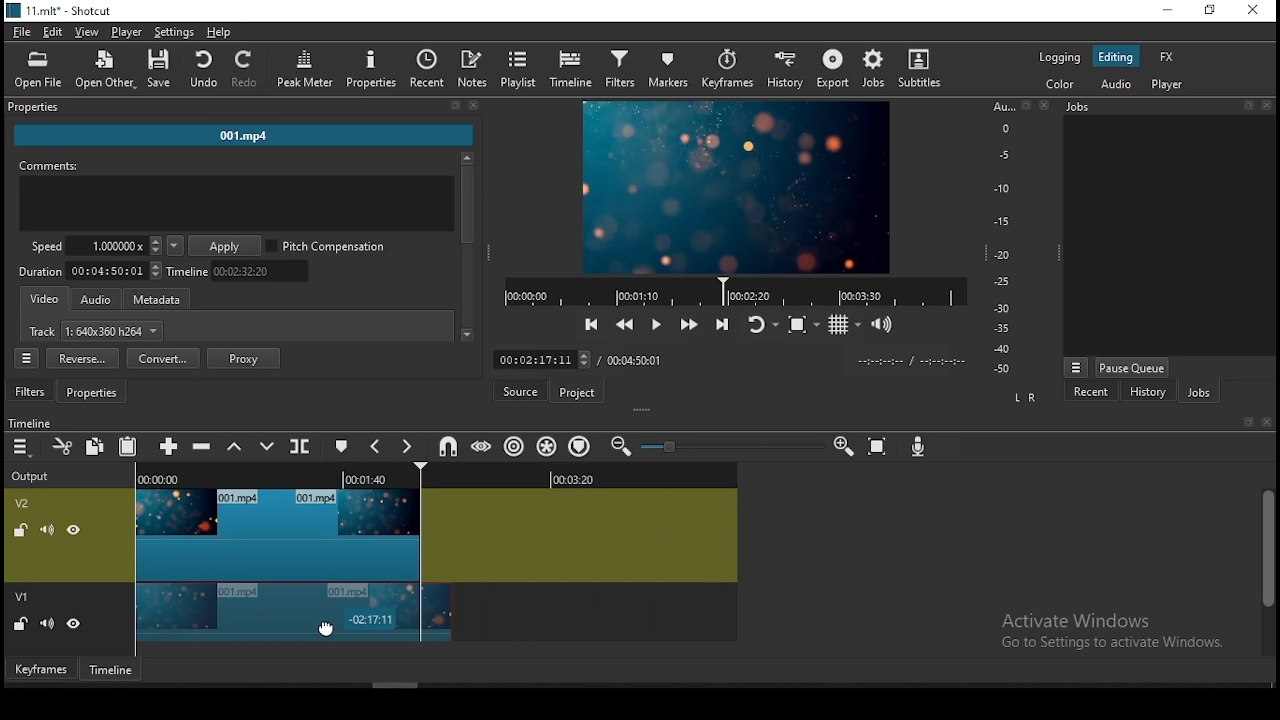 The height and width of the screenshot is (720, 1280). Describe the element at coordinates (30, 475) in the screenshot. I see `OUTPUT` at that location.